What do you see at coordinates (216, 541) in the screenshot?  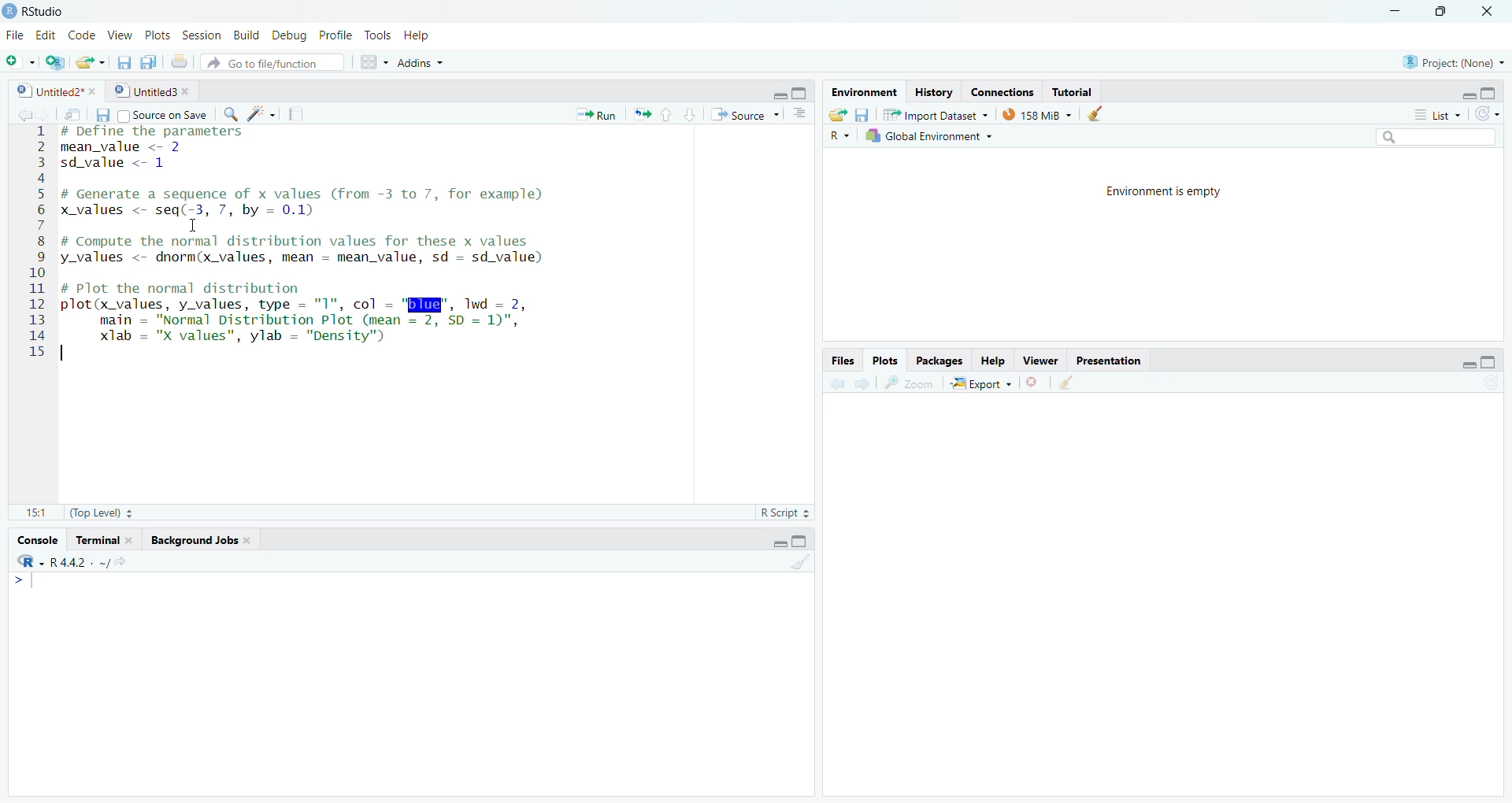 I see `Background Jobs` at bounding box center [216, 541].